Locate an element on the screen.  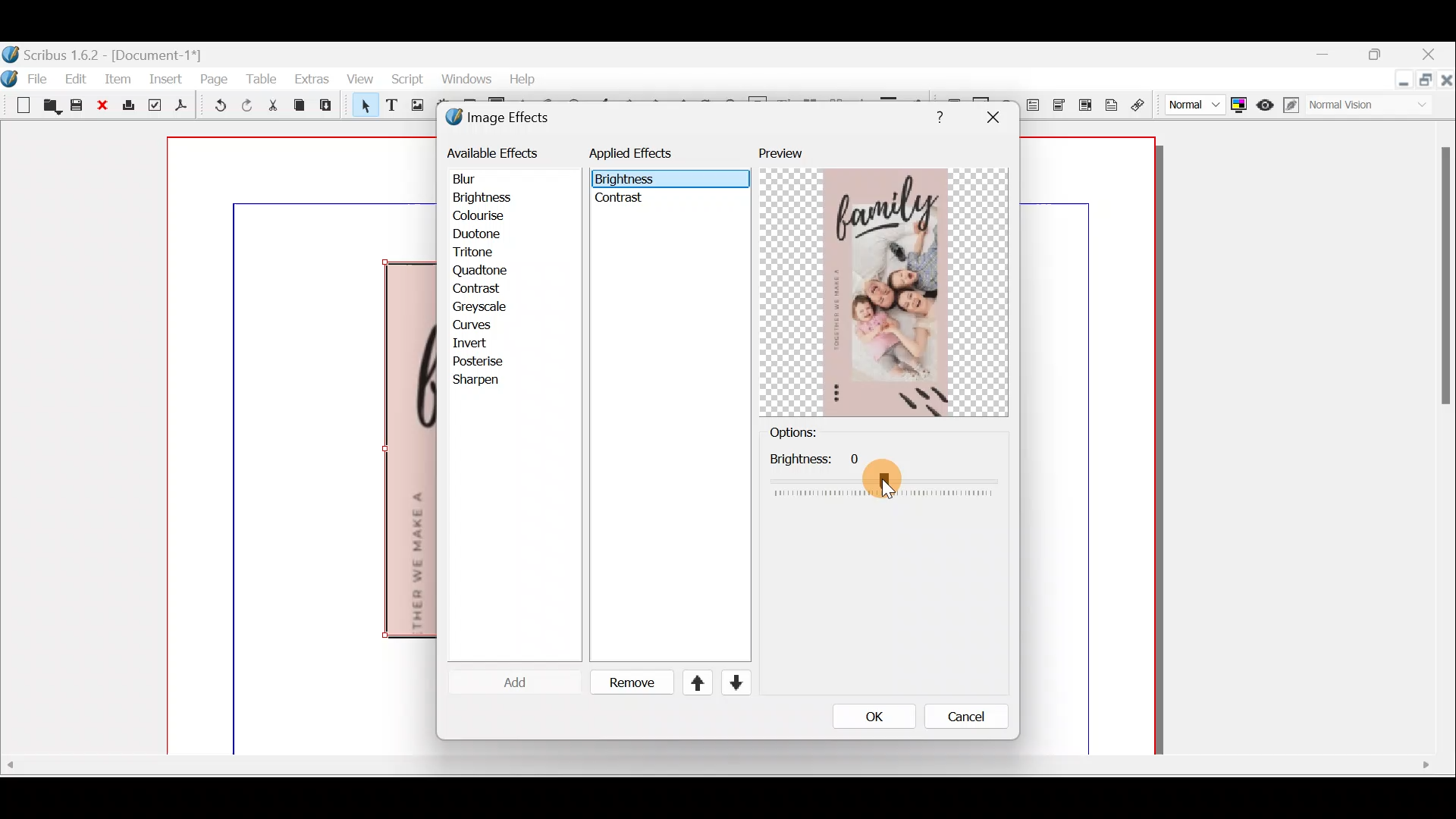
Contrast is located at coordinates (481, 288).